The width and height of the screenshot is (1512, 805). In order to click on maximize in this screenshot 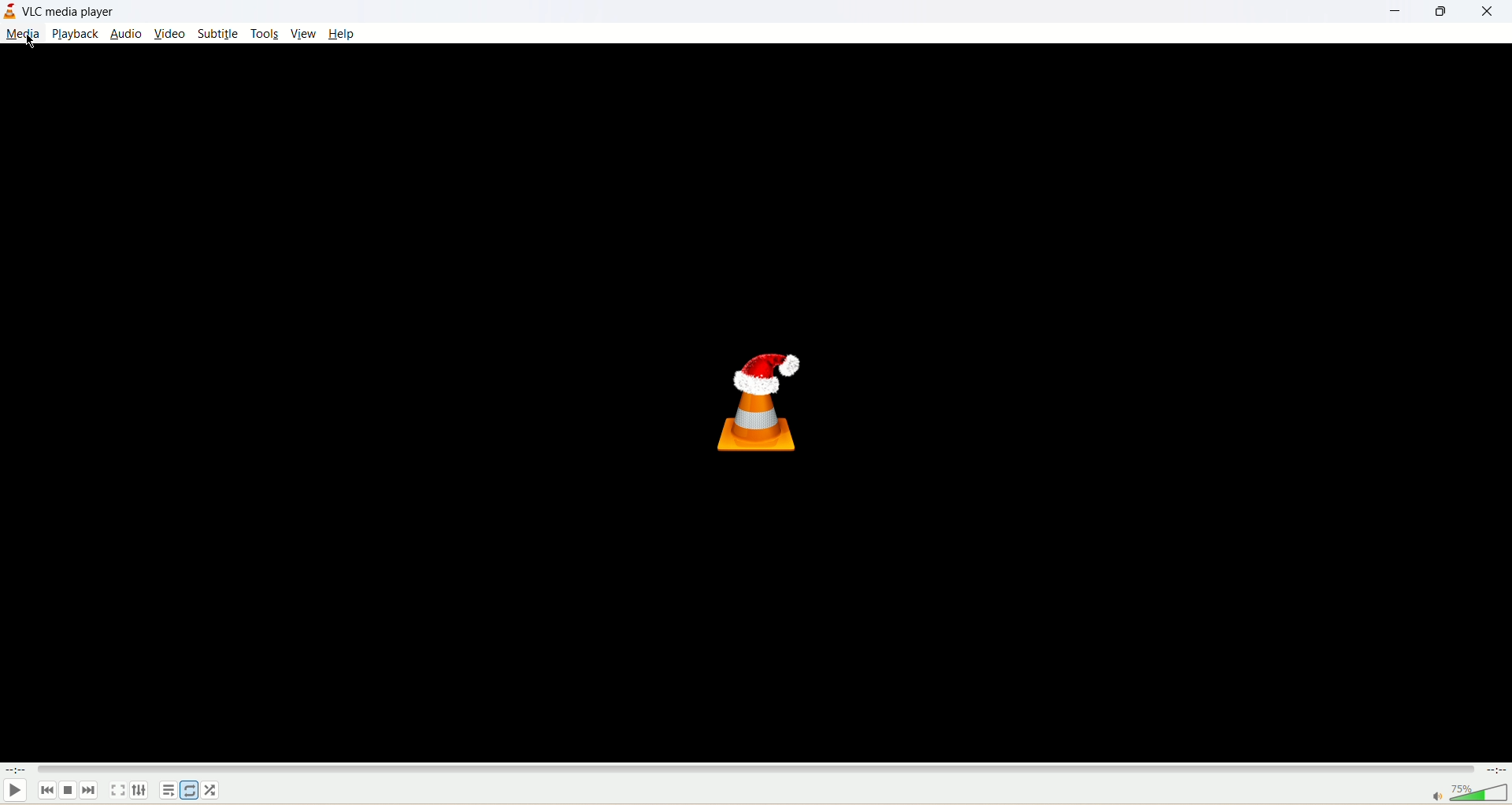, I will do `click(1437, 14)`.